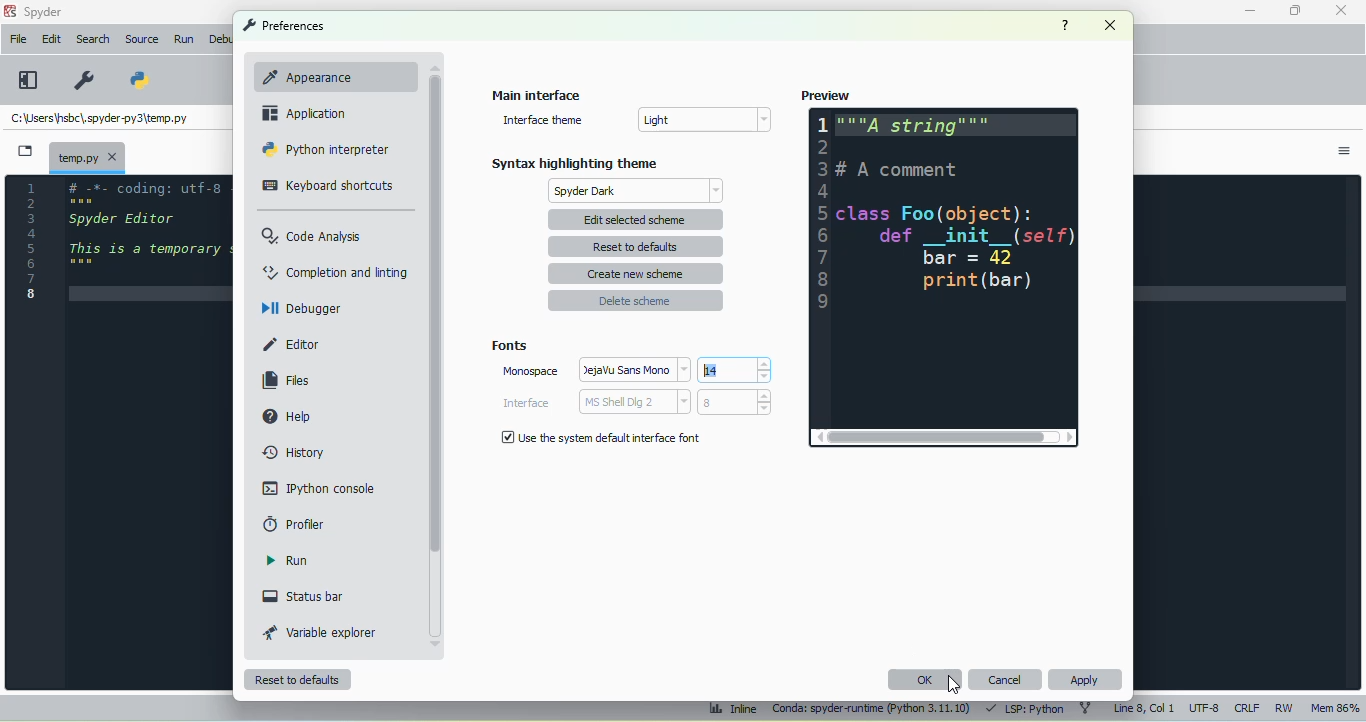  What do you see at coordinates (825, 95) in the screenshot?
I see `preview` at bounding box center [825, 95].